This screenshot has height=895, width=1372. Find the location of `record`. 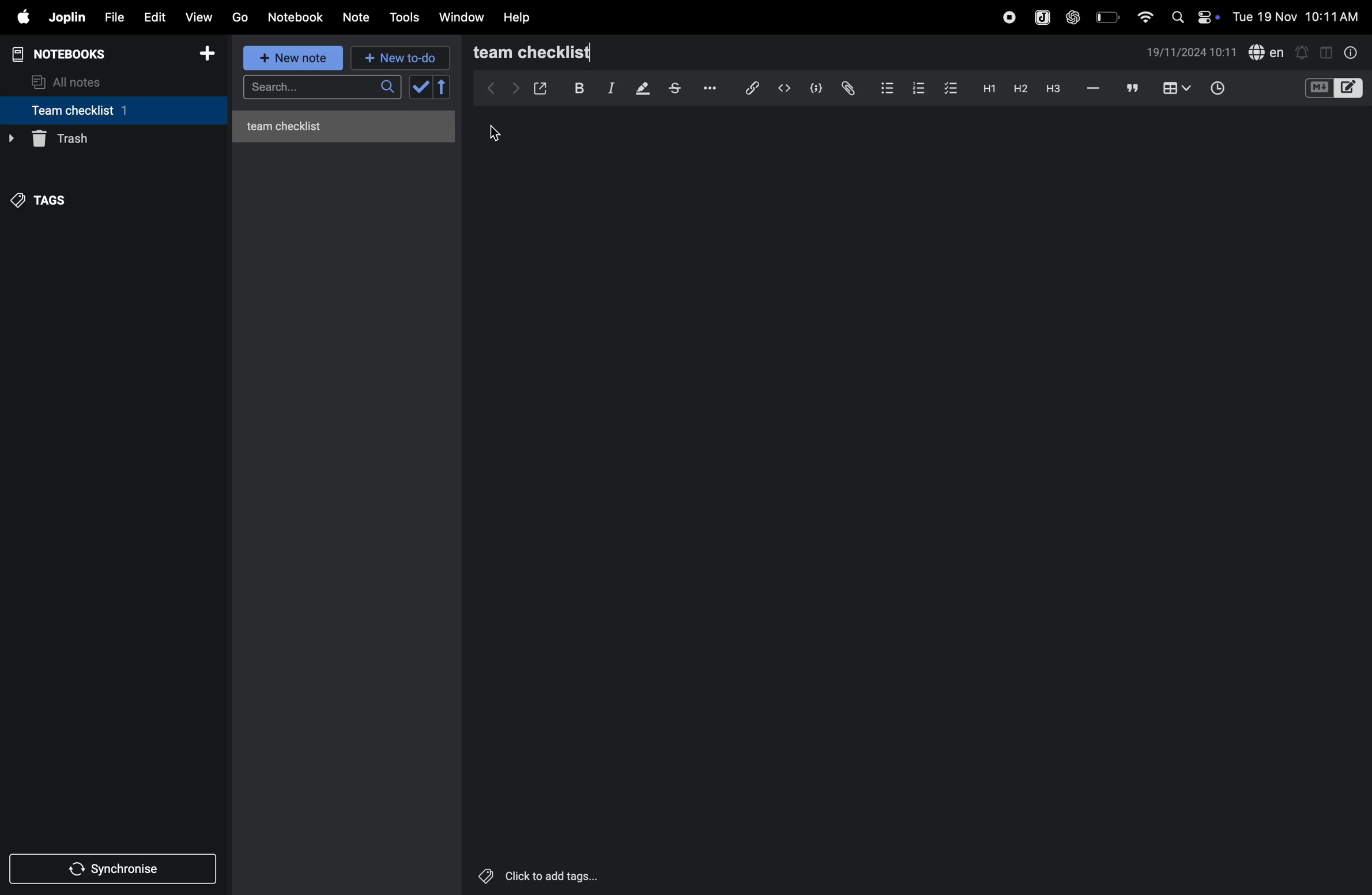

record is located at coordinates (1005, 17).